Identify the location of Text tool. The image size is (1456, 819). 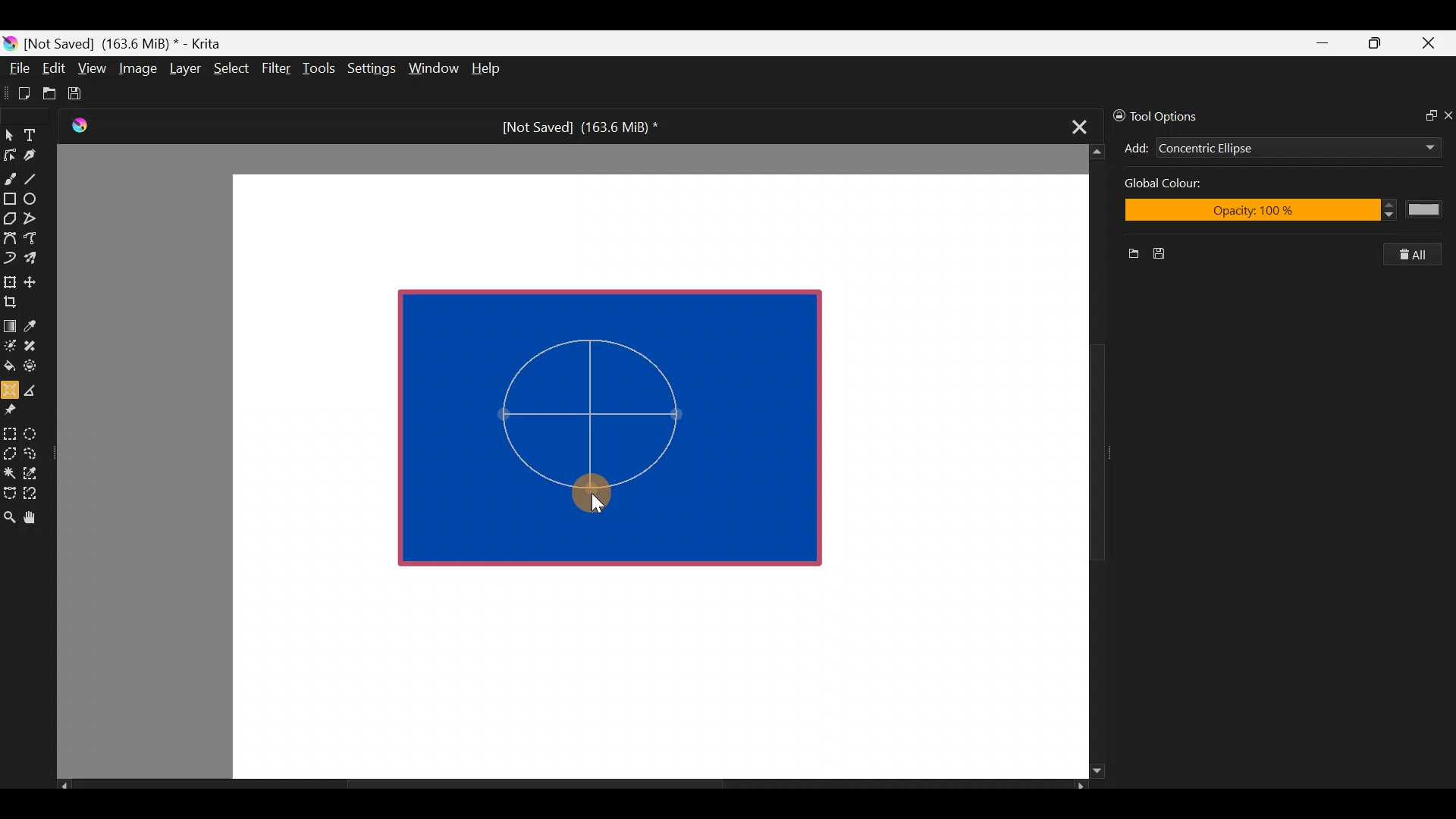
(38, 134).